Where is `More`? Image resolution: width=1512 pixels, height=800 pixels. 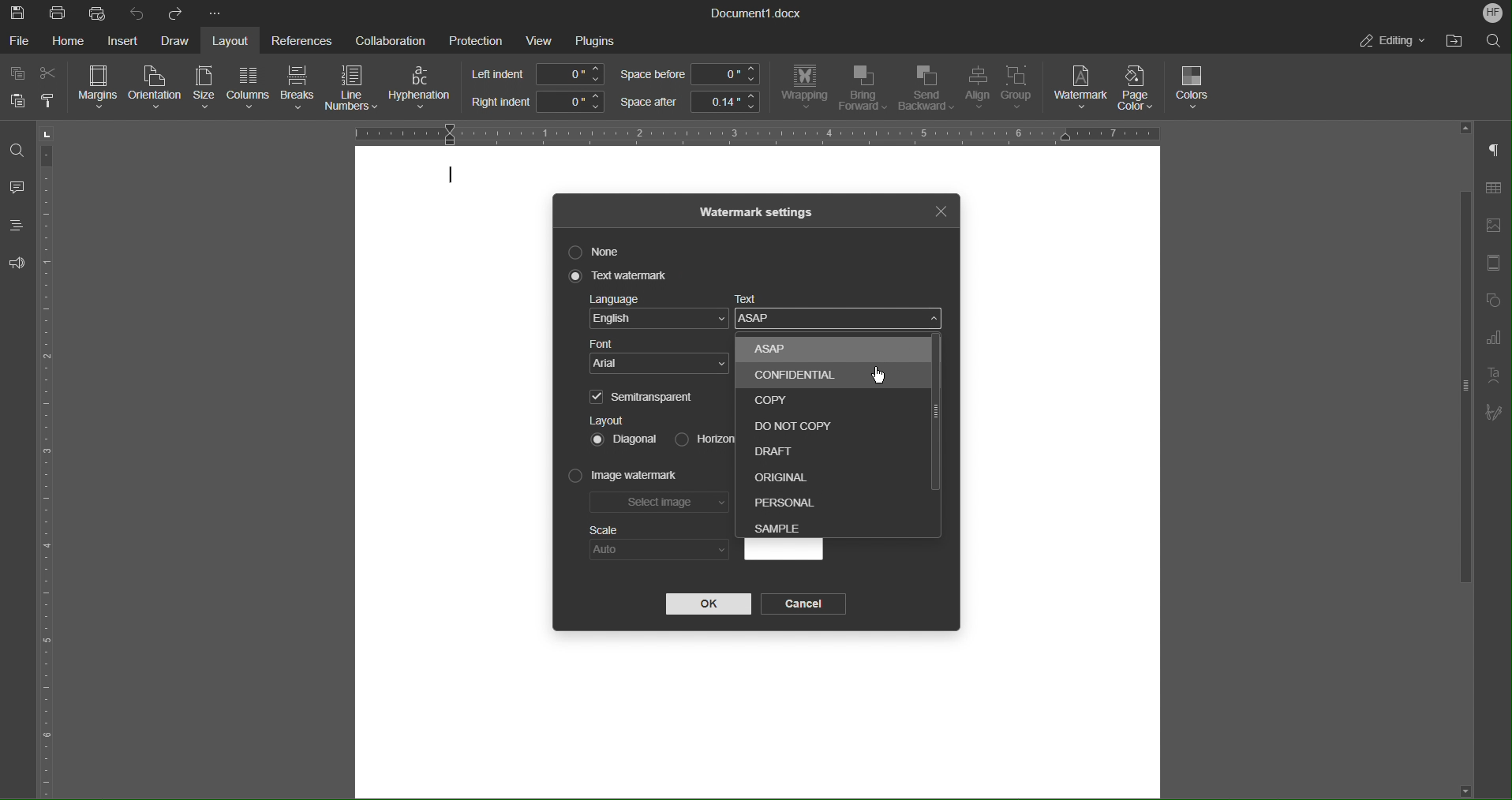 More is located at coordinates (217, 14).